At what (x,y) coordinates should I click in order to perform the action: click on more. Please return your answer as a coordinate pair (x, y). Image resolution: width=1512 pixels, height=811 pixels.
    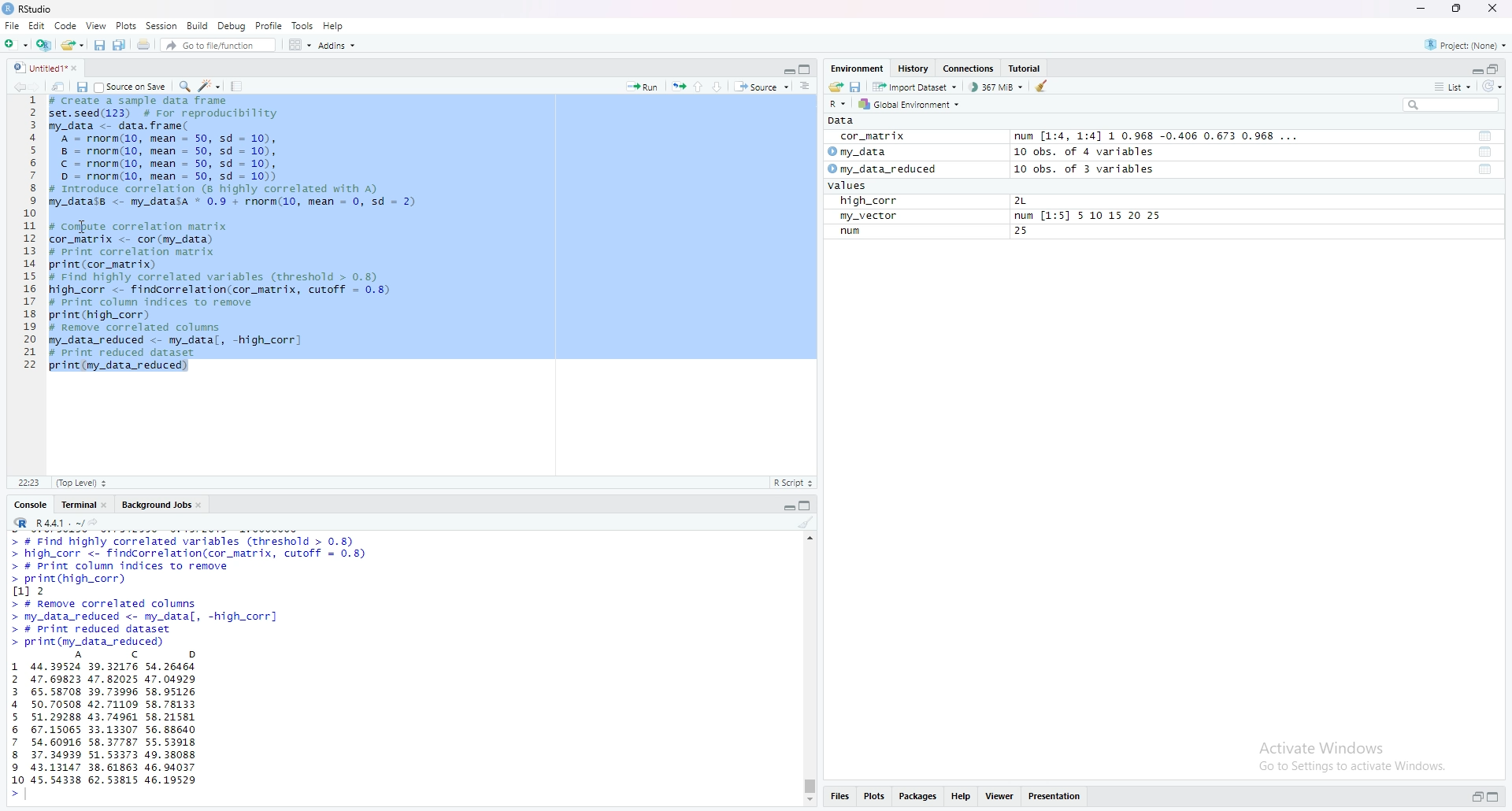
    Looking at the image, I should click on (806, 86).